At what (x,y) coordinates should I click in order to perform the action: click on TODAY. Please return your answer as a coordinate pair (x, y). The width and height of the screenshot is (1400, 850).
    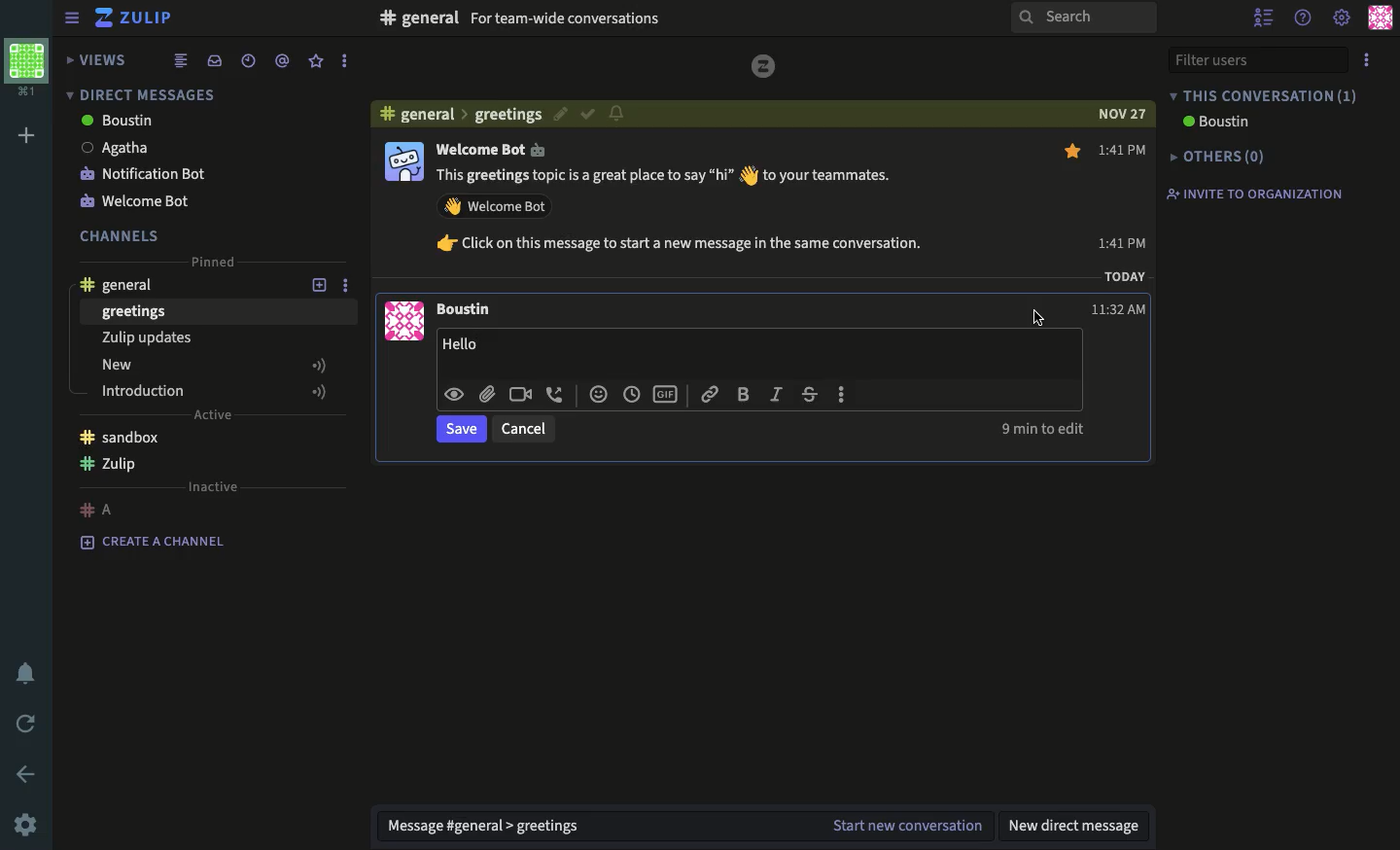
    Looking at the image, I should click on (1124, 279).